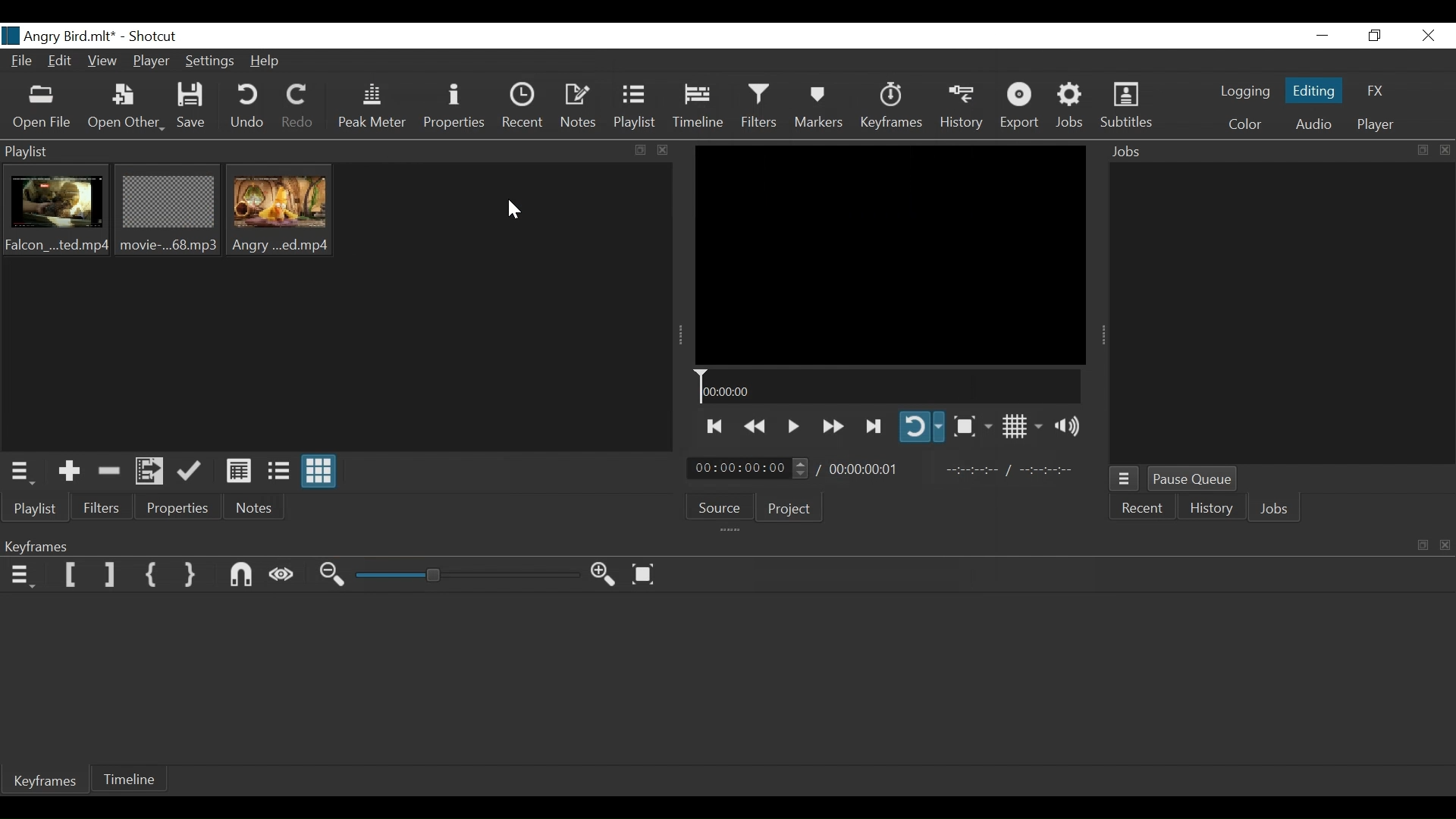 The height and width of the screenshot is (819, 1456). Describe the element at coordinates (112, 471) in the screenshot. I see `Remove cut` at that location.